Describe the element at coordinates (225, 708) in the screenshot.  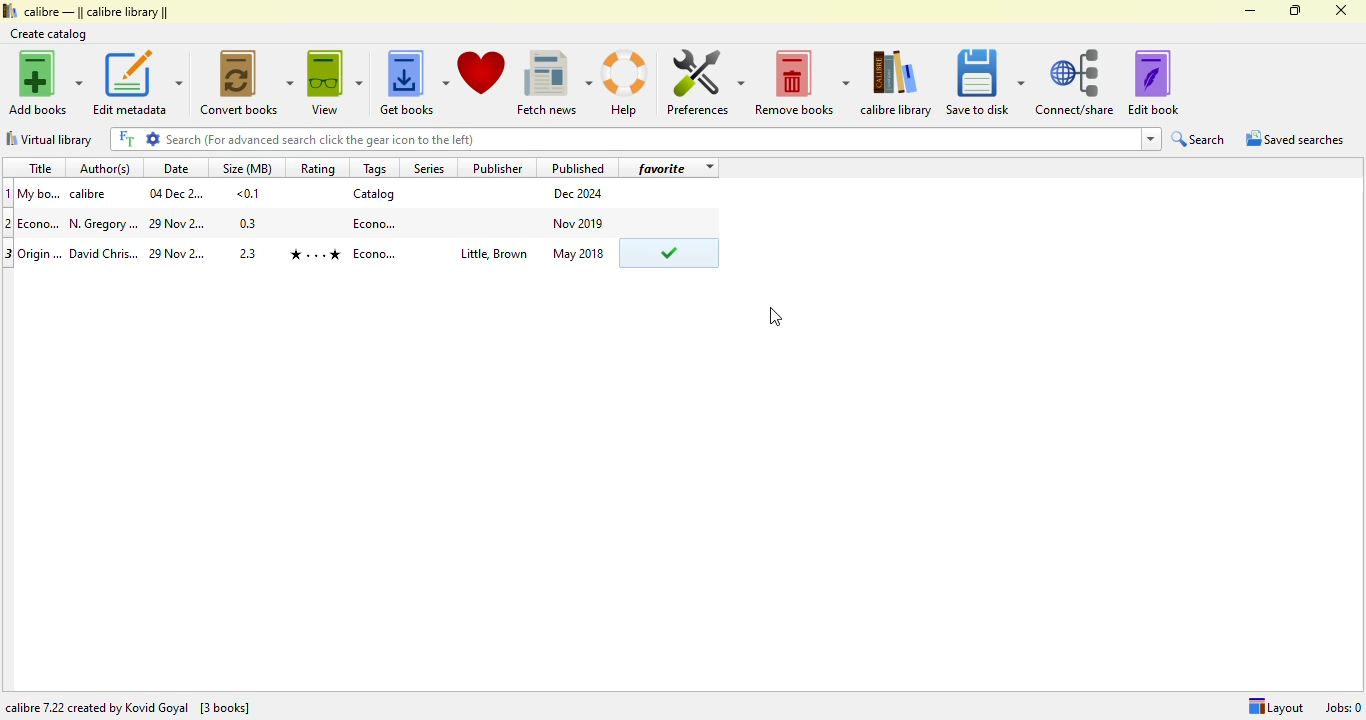
I see `[3 books]` at that location.